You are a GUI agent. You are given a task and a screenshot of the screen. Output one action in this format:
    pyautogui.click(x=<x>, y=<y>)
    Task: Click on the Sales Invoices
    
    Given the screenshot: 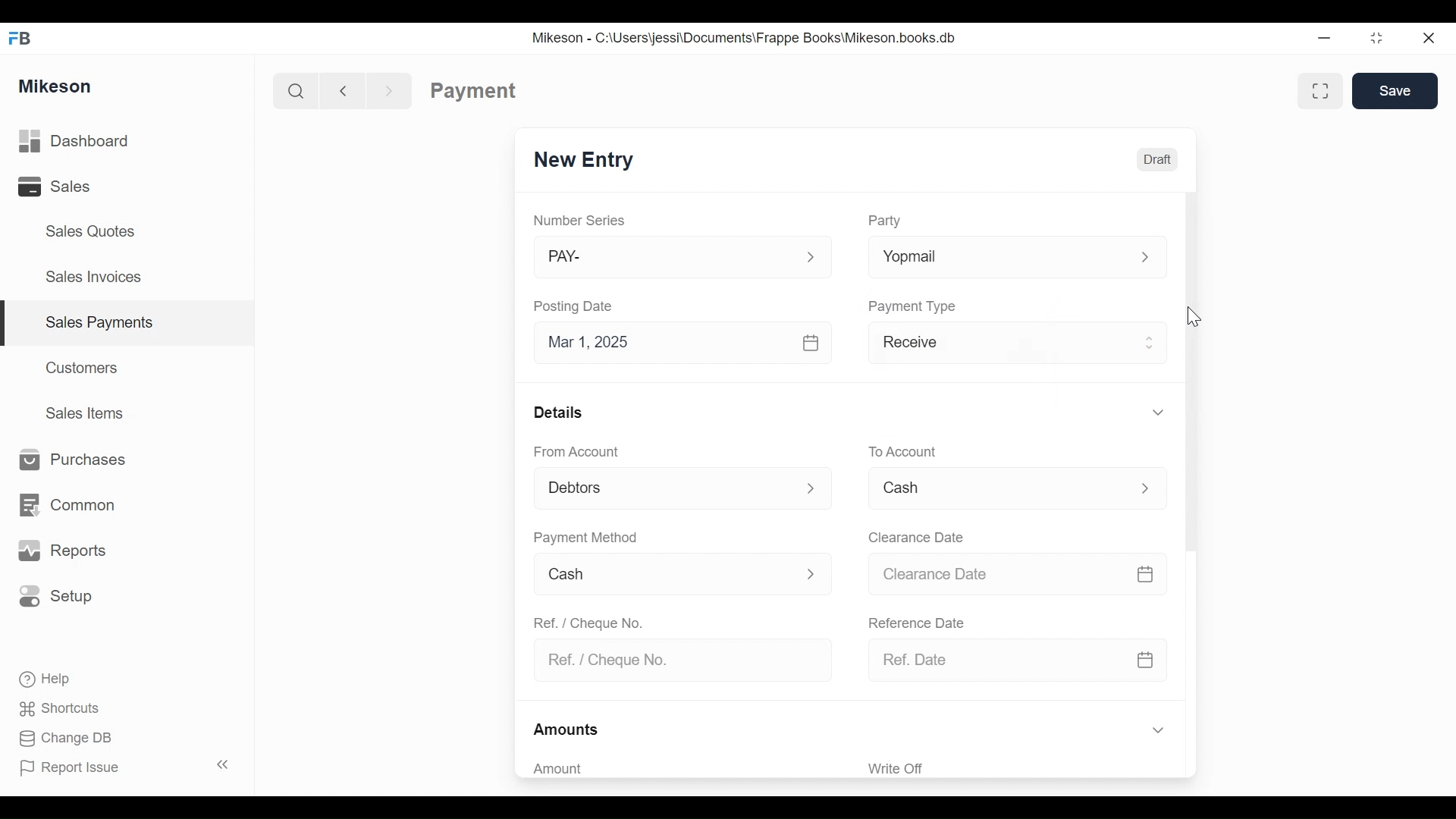 What is the action you would take?
    pyautogui.click(x=88, y=278)
    